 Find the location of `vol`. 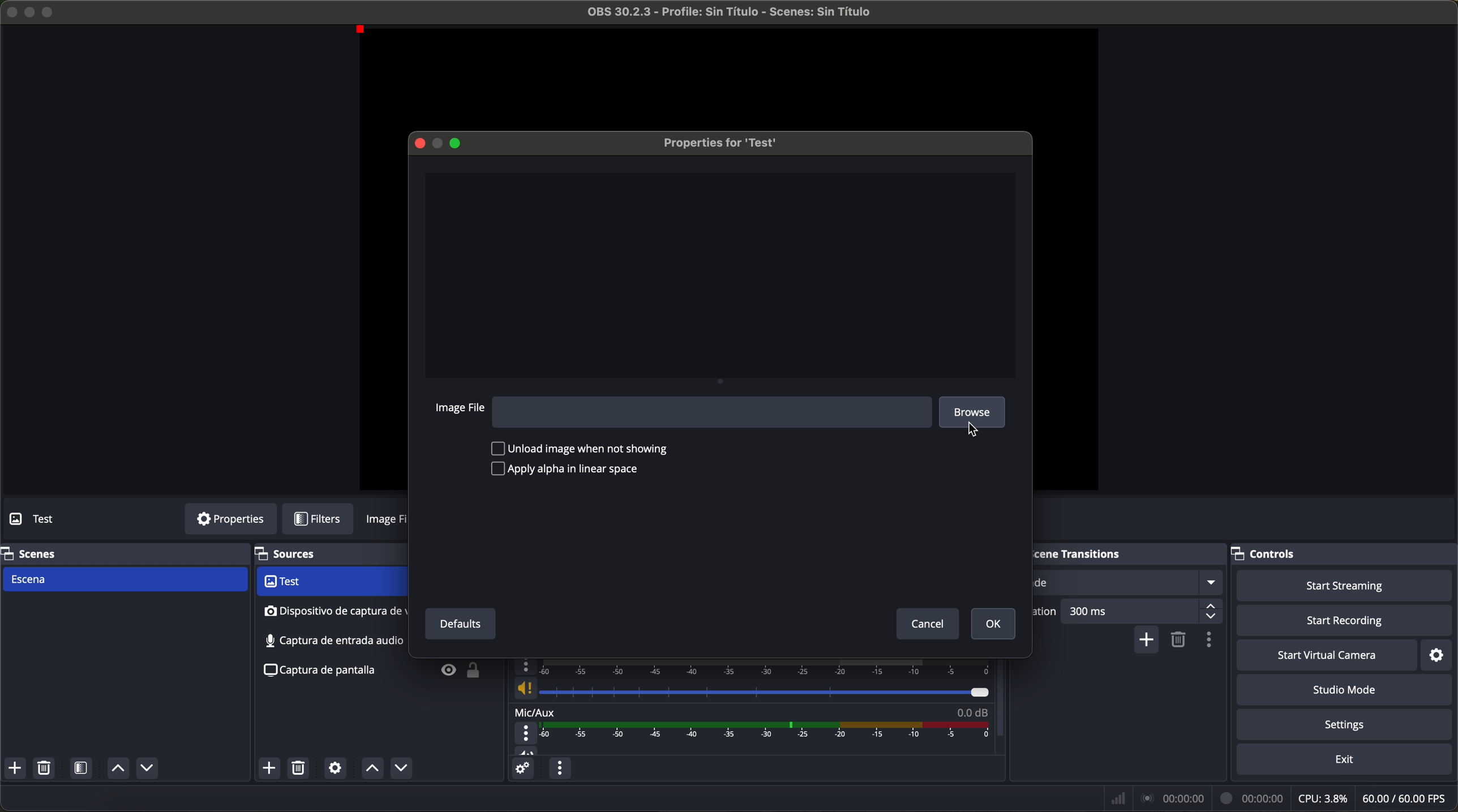

vol is located at coordinates (526, 750).